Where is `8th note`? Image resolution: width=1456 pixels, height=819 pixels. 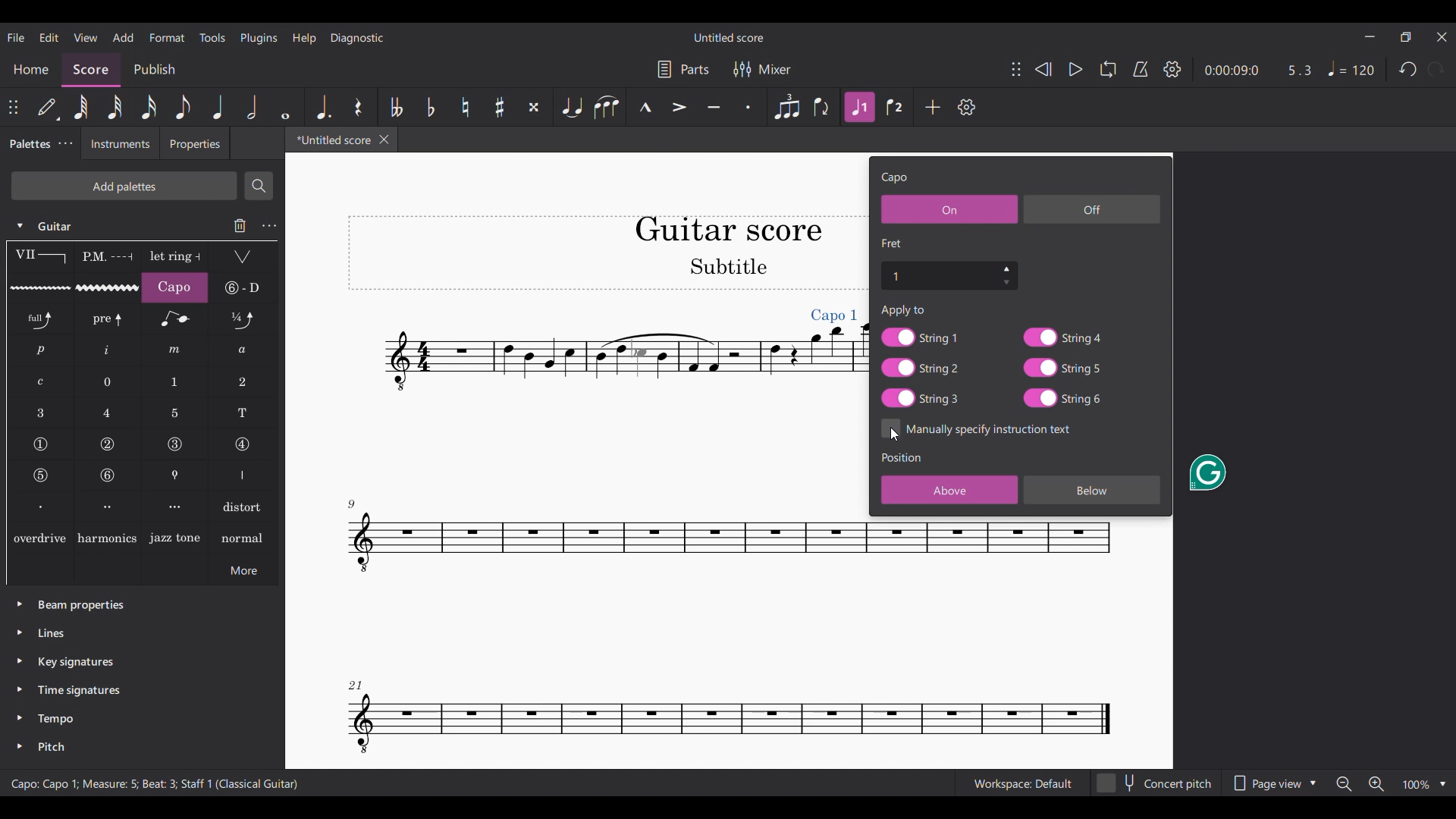
8th note is located at coordinates (183, 107).